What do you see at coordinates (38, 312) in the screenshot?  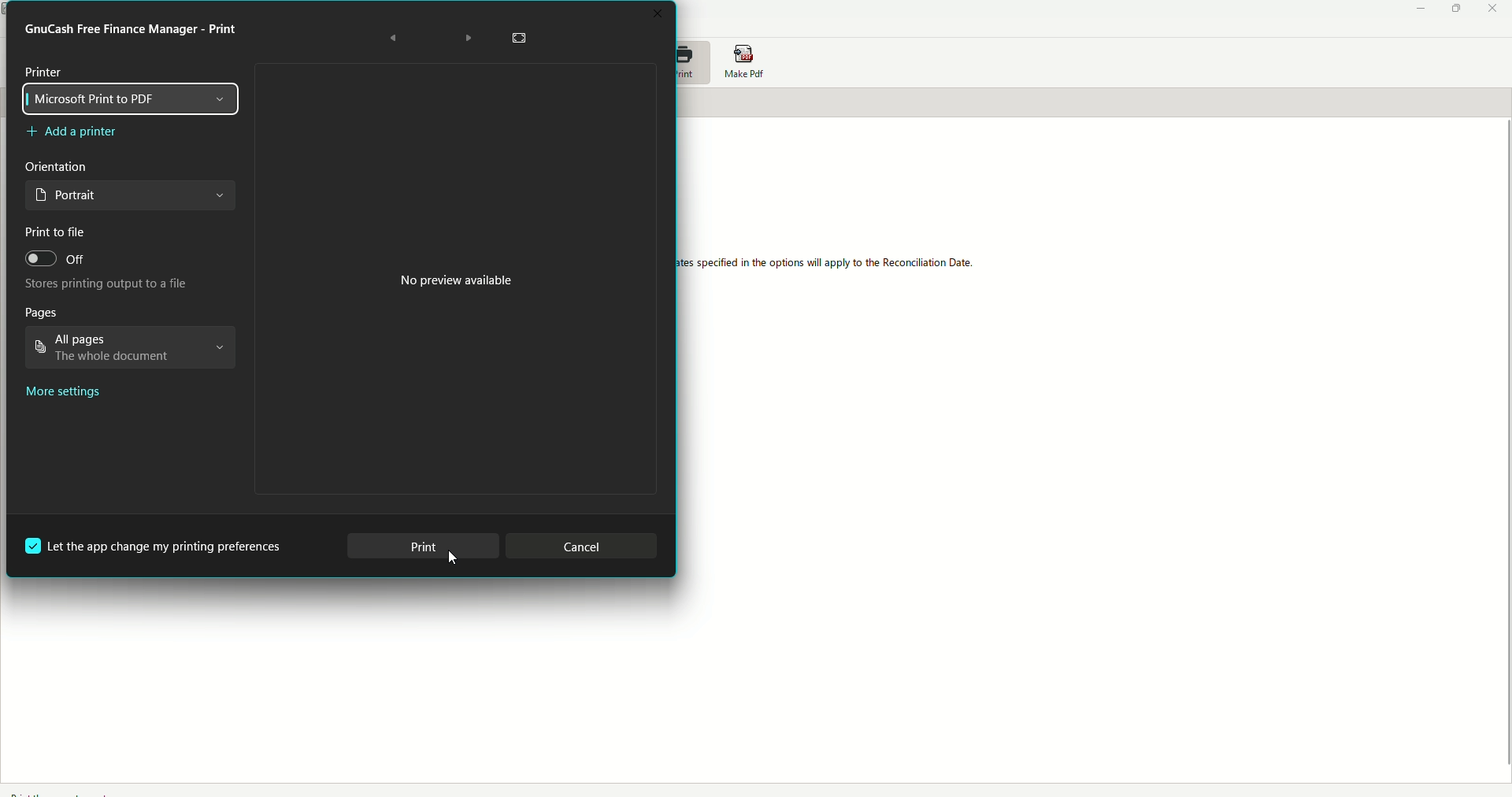 I see `Pages` at bounding box center [38, 312].